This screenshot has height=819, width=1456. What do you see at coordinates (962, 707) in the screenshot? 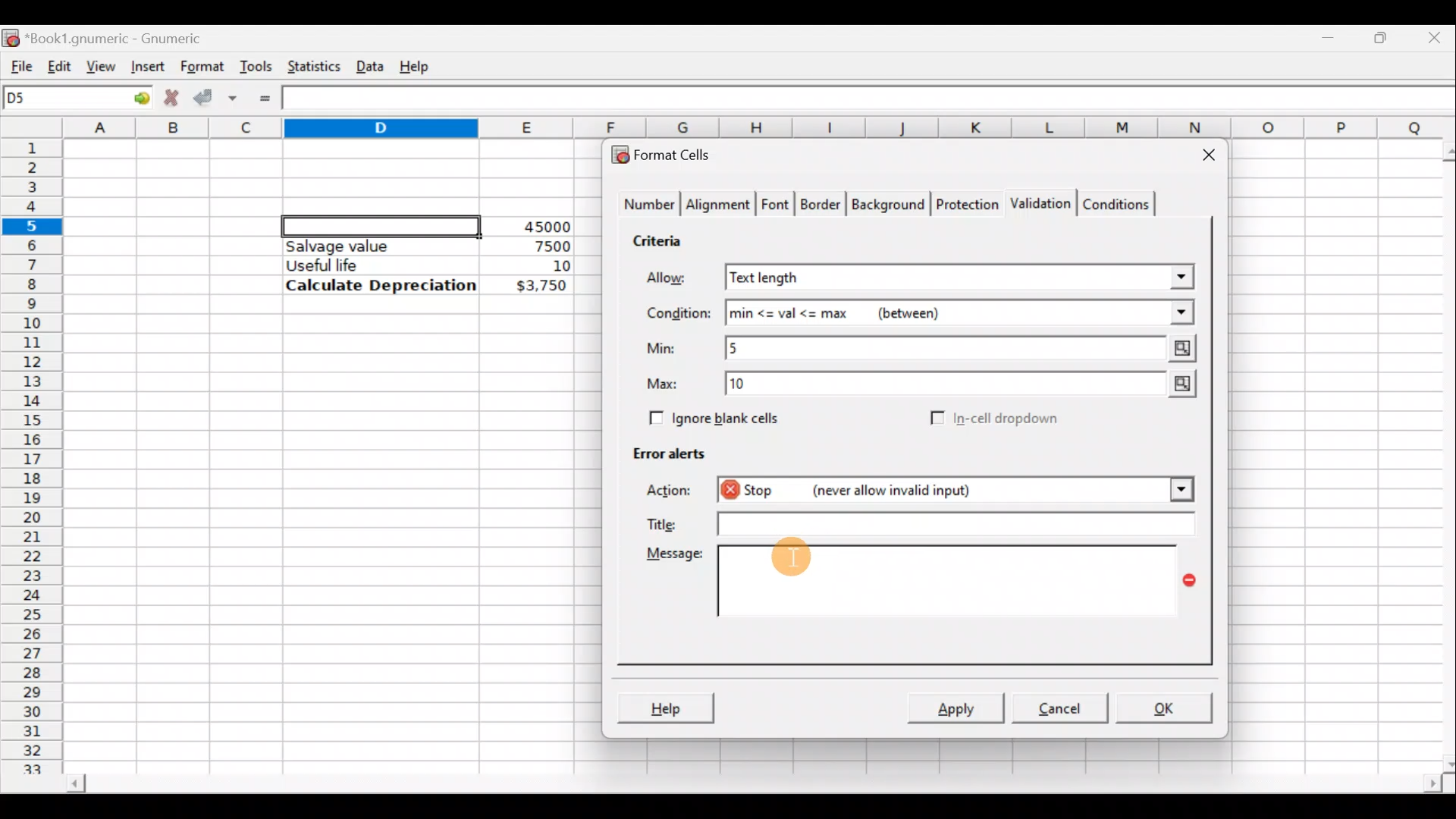
I see `Apply` at bounding box center [962, 707].